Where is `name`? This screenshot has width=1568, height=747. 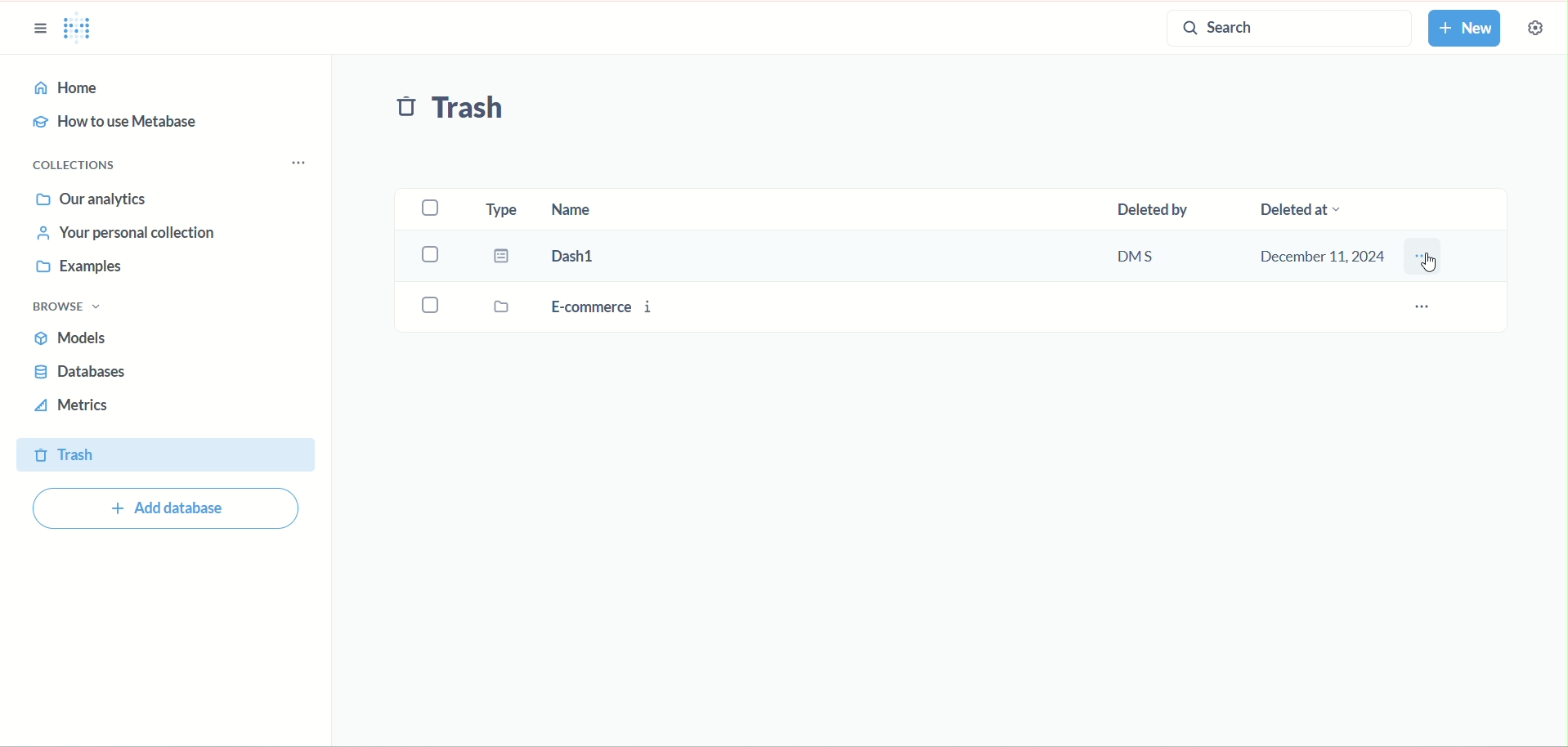 name is located at coordinates (610, 210).